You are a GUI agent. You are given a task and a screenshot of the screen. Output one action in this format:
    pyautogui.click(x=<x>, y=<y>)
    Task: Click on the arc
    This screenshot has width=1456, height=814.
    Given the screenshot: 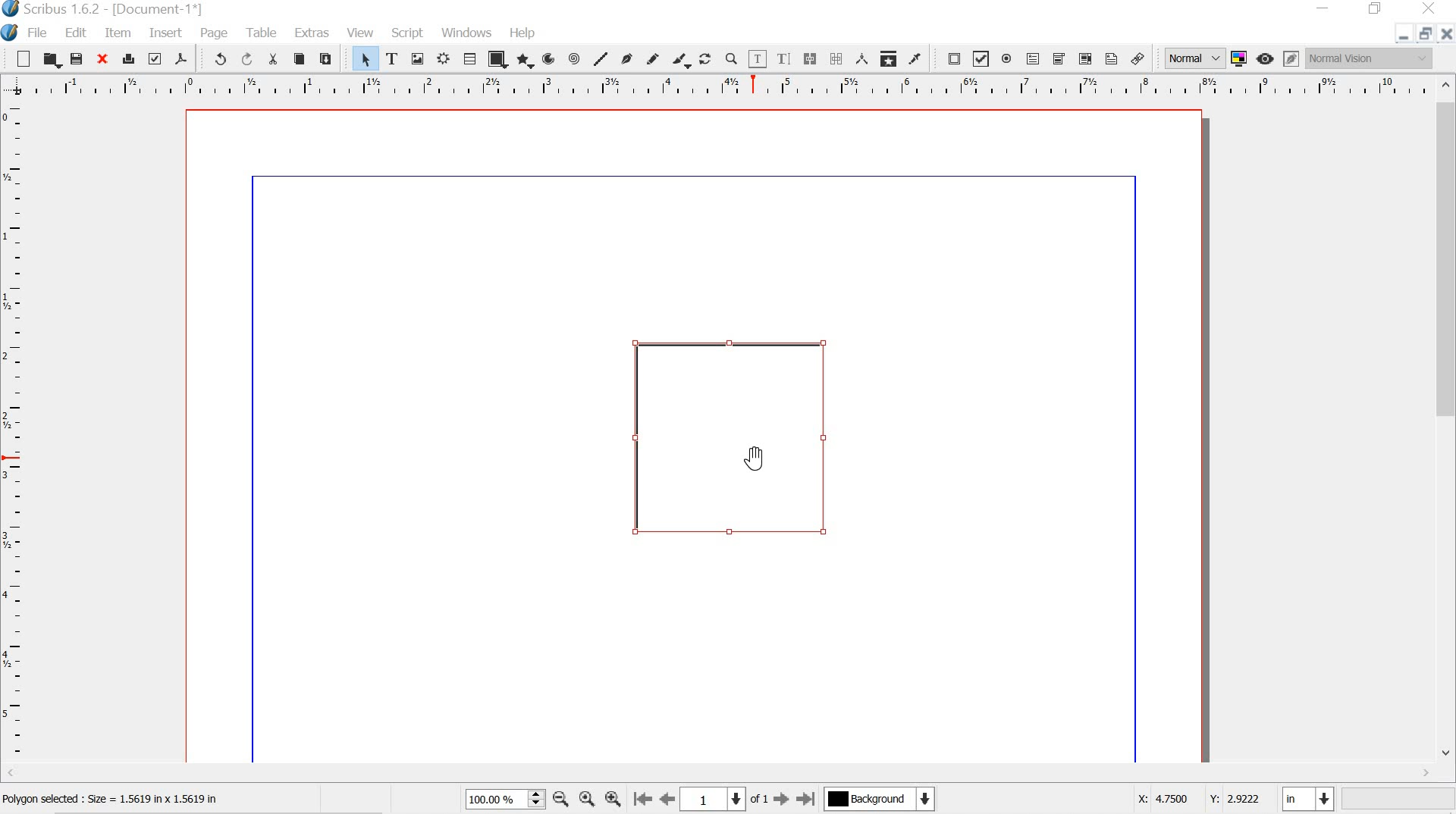 What is the action you would take?
    pyautogui.click(x=550, y=58)
    